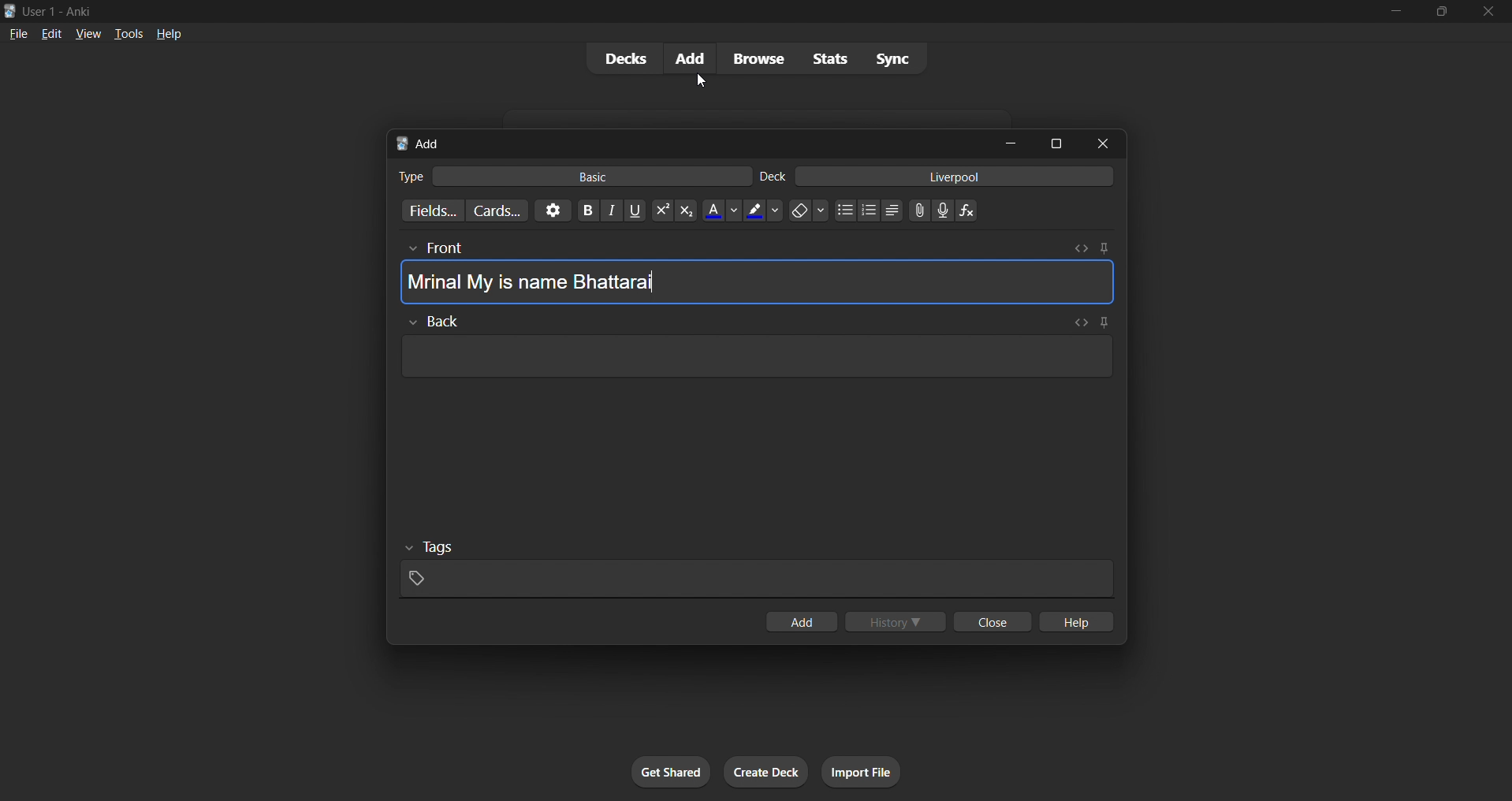 This screenshot has height=801, width=1512. I want to click on customize card fields, so click(430, 210).